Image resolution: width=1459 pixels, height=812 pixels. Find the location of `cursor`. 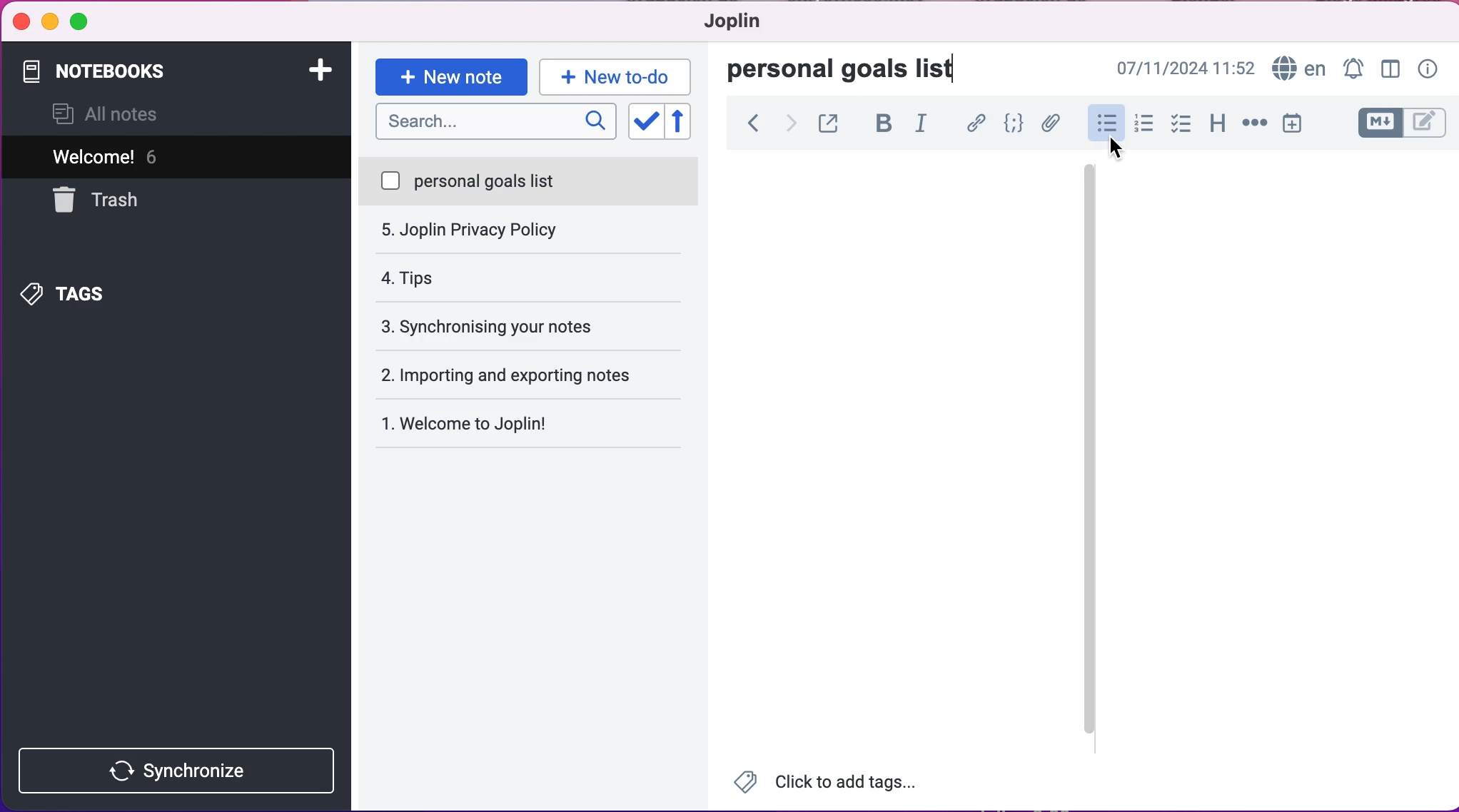

cursor is located at coordinates (1119, 146).